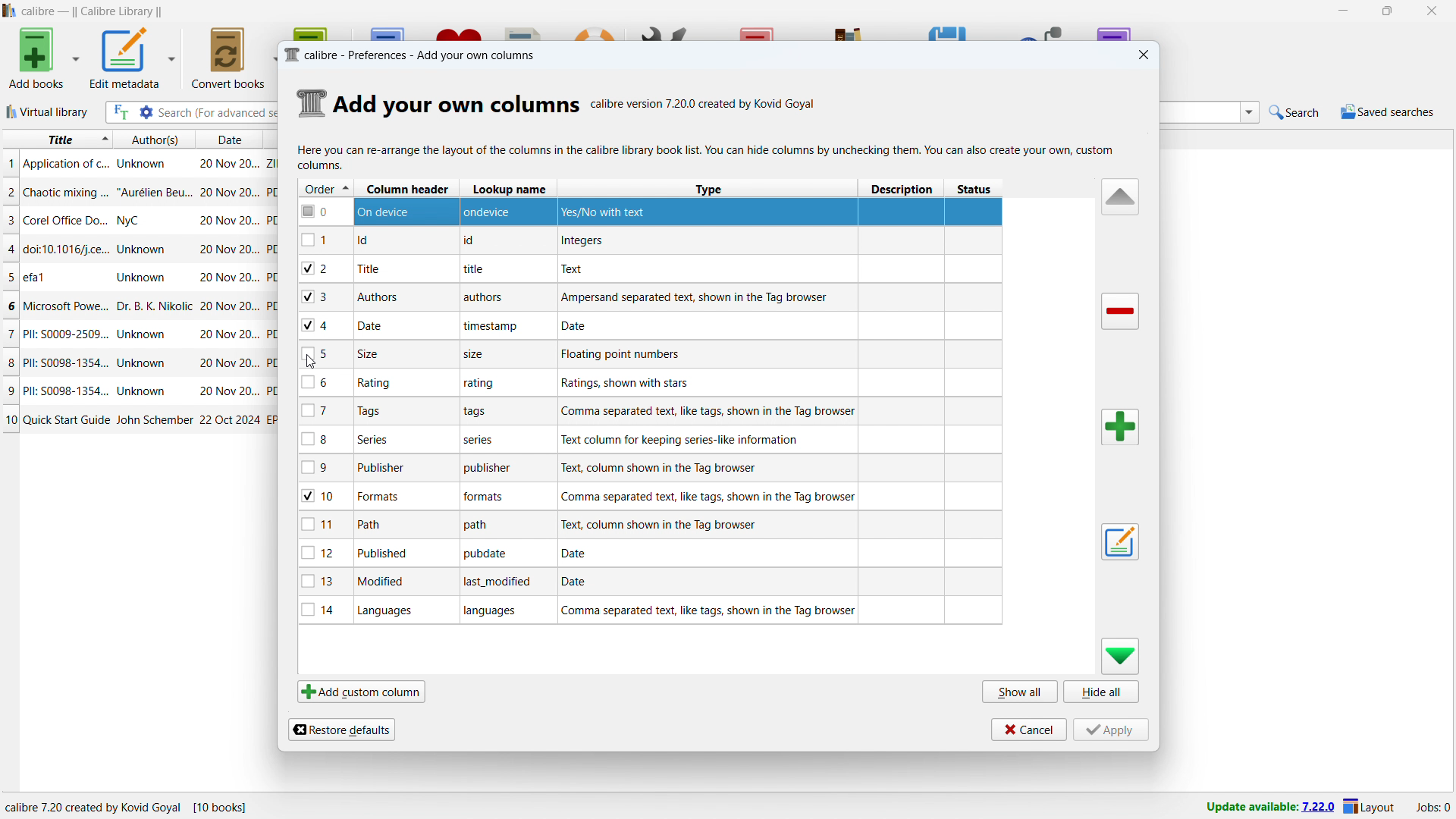  What do you see at coordinates (47, 278) in the screenshot?
I see `title` at bounding box center [47, 278].